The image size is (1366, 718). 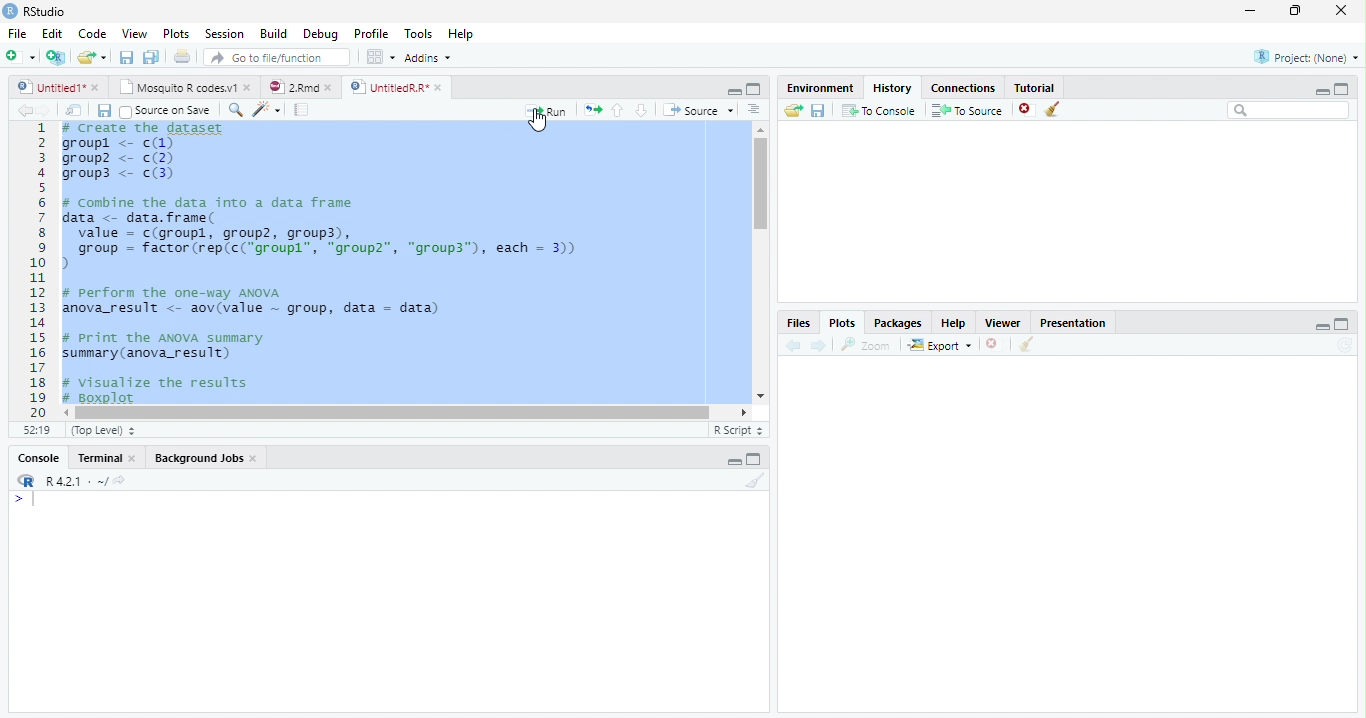 What do you see at coordinates (734, 463) in the screenshot?
I see `Minimize` at bounding box center [734, 463].